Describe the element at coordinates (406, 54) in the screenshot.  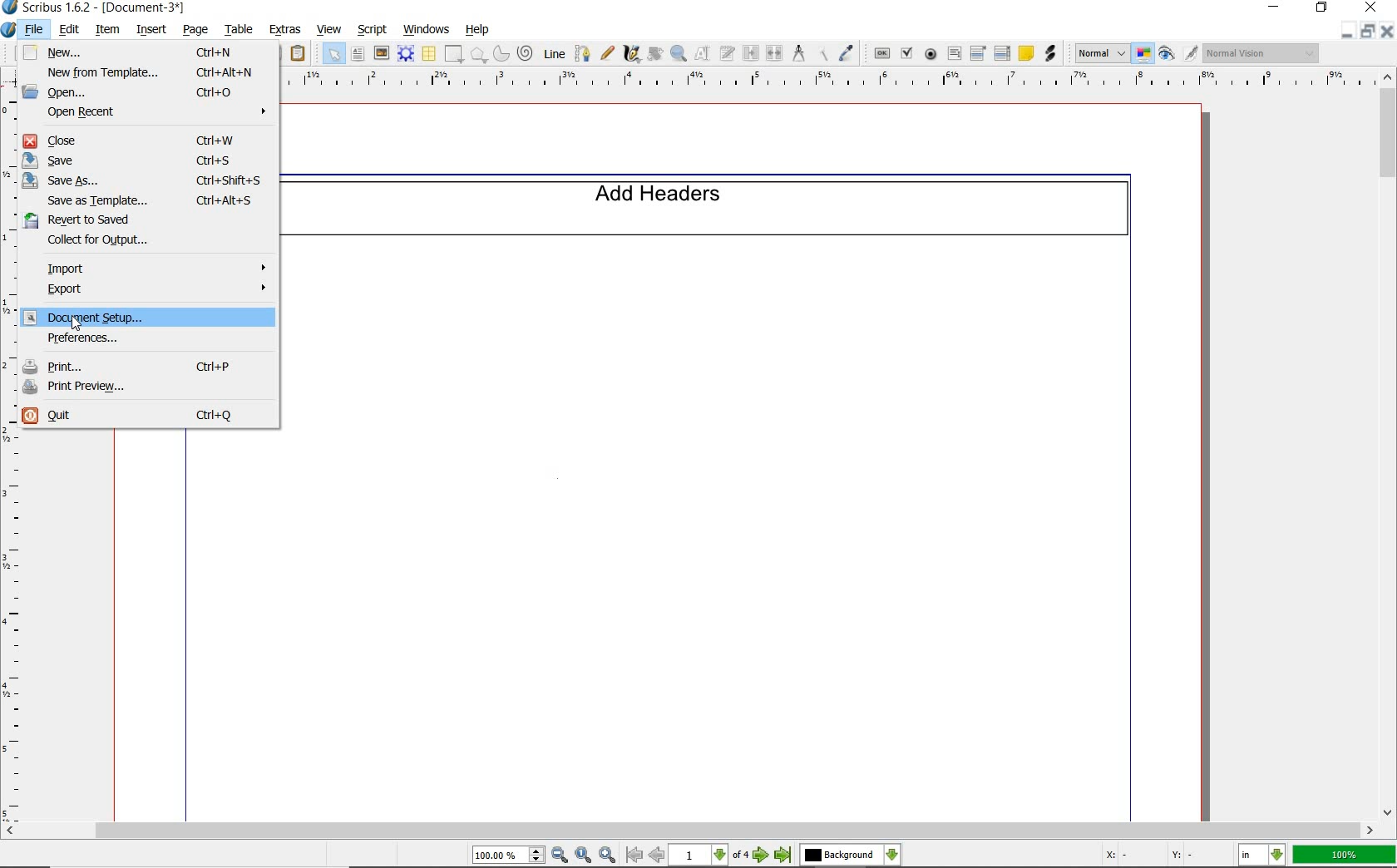
I see `render frame` at that location.